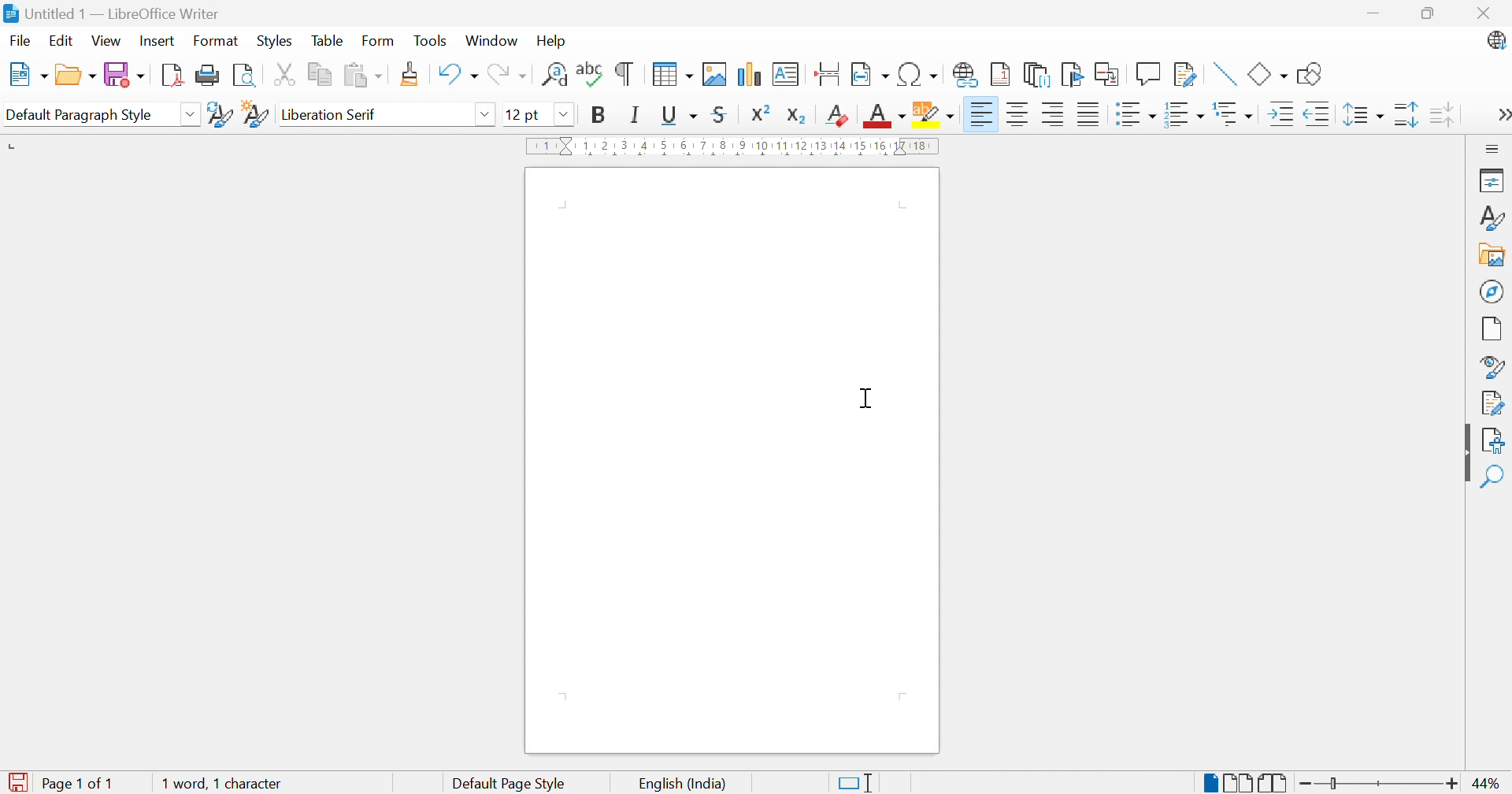  Describe the element at coordinates (156, 42) in the screenshot. I see `Insert` at that location.